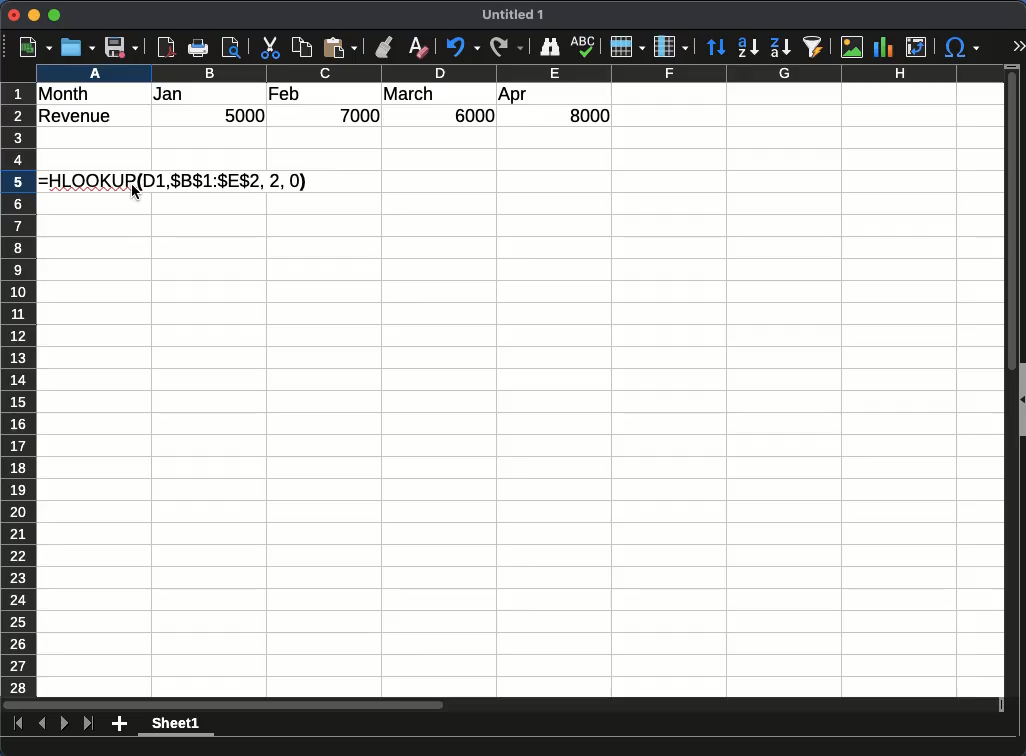  I want to click on sheet1, so click(176, 725).